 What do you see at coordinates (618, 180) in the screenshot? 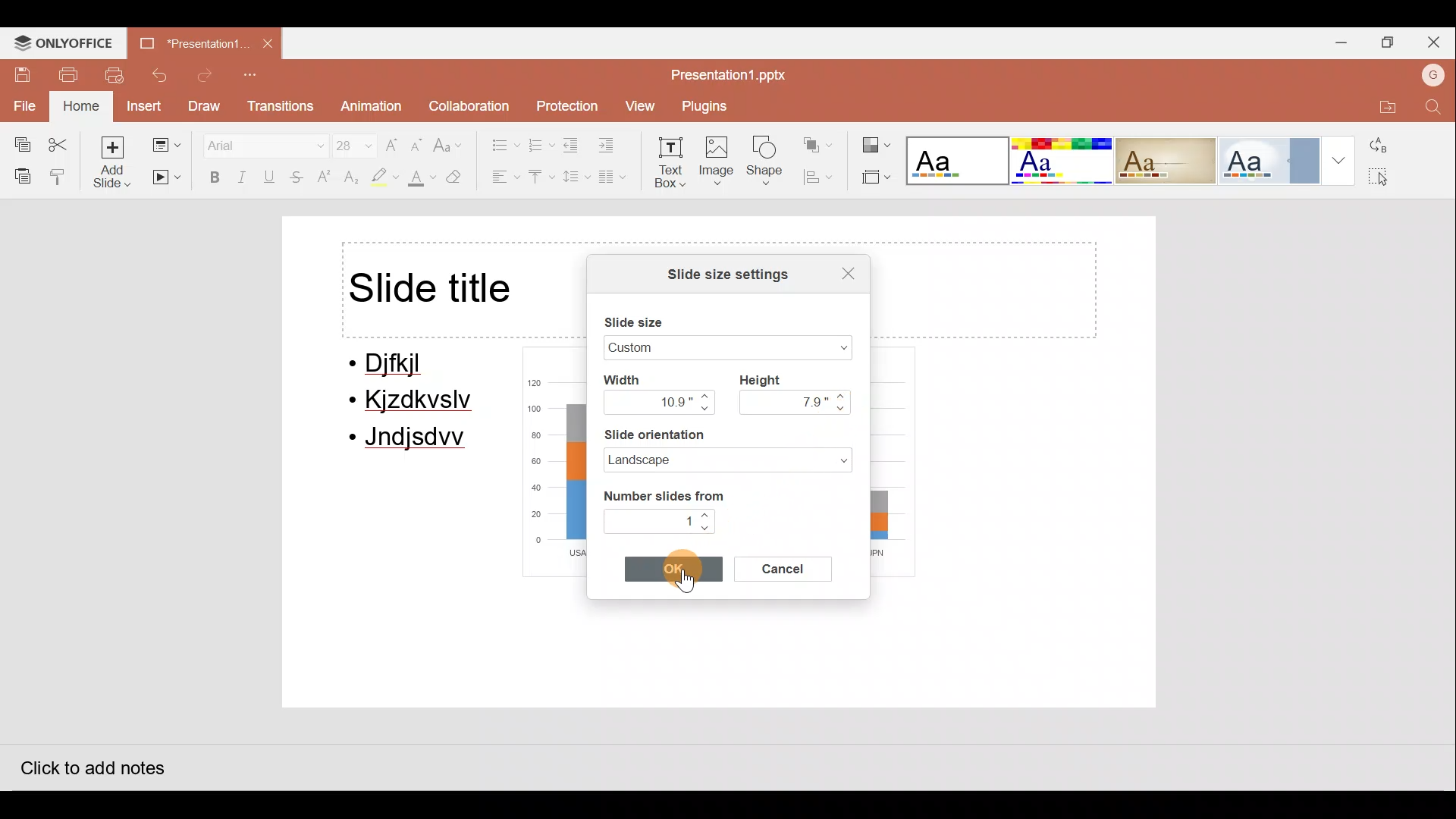
I see `Columns` at bounding box center [618, 180].